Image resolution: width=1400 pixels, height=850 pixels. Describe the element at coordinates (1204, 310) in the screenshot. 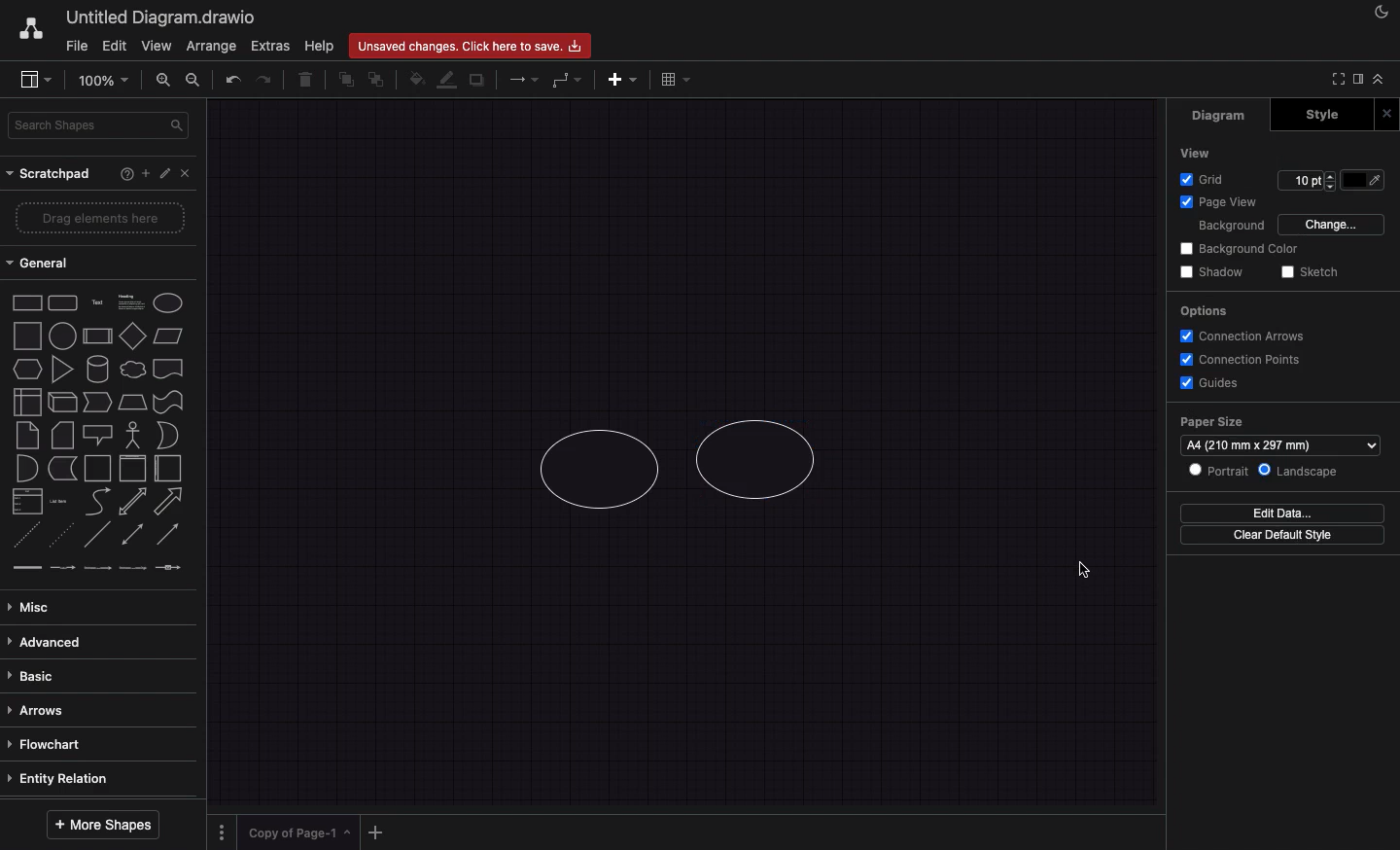

I see `options` at that location.